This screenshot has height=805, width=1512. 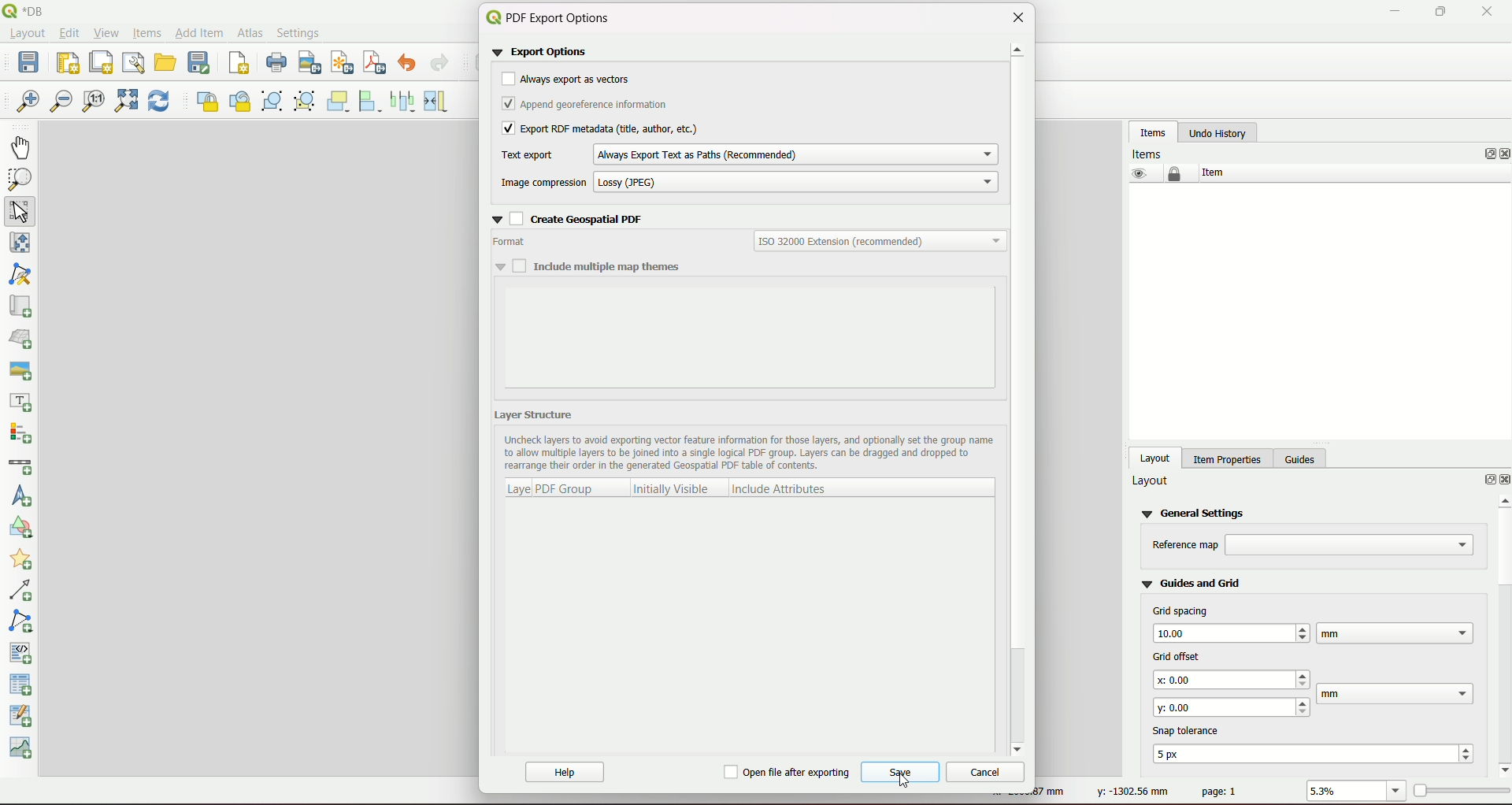 I want to click on group, so click(x=272, y=102).